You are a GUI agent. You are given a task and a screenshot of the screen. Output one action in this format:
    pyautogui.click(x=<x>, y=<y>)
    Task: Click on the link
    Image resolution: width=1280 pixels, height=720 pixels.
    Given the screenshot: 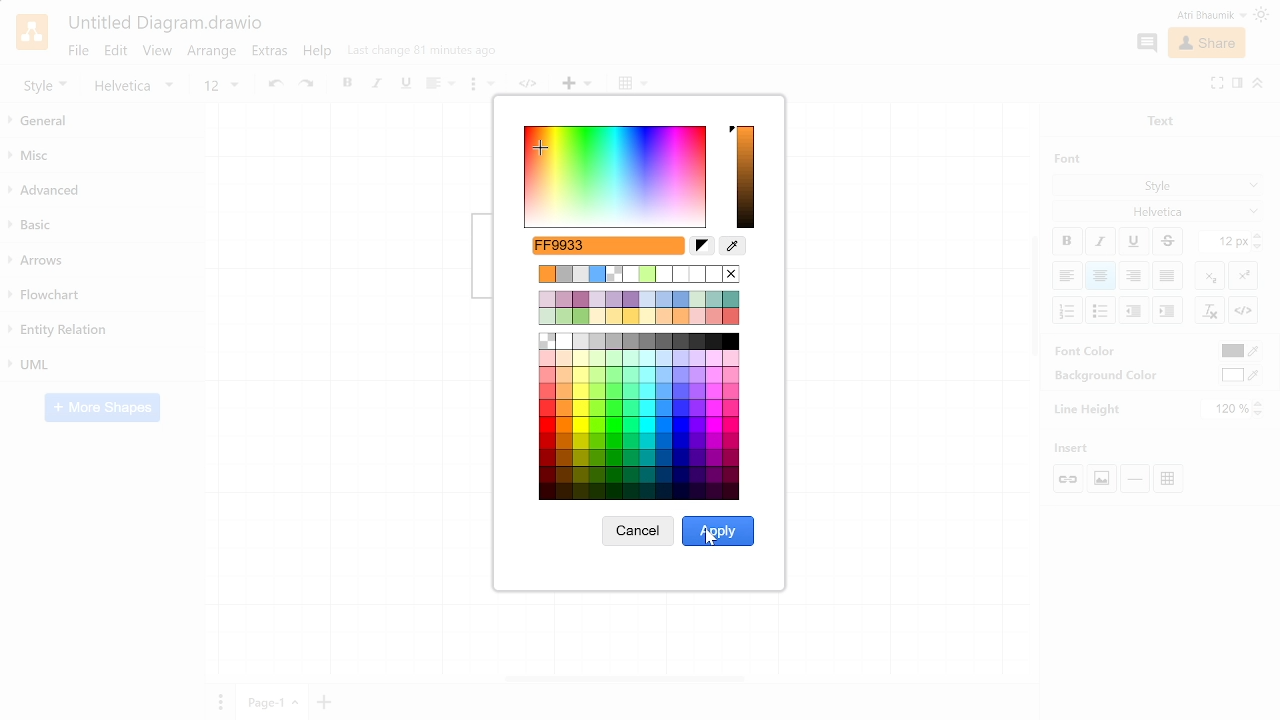 What is the action you would take?
    pyautogui.click(x=532, y=85)
    